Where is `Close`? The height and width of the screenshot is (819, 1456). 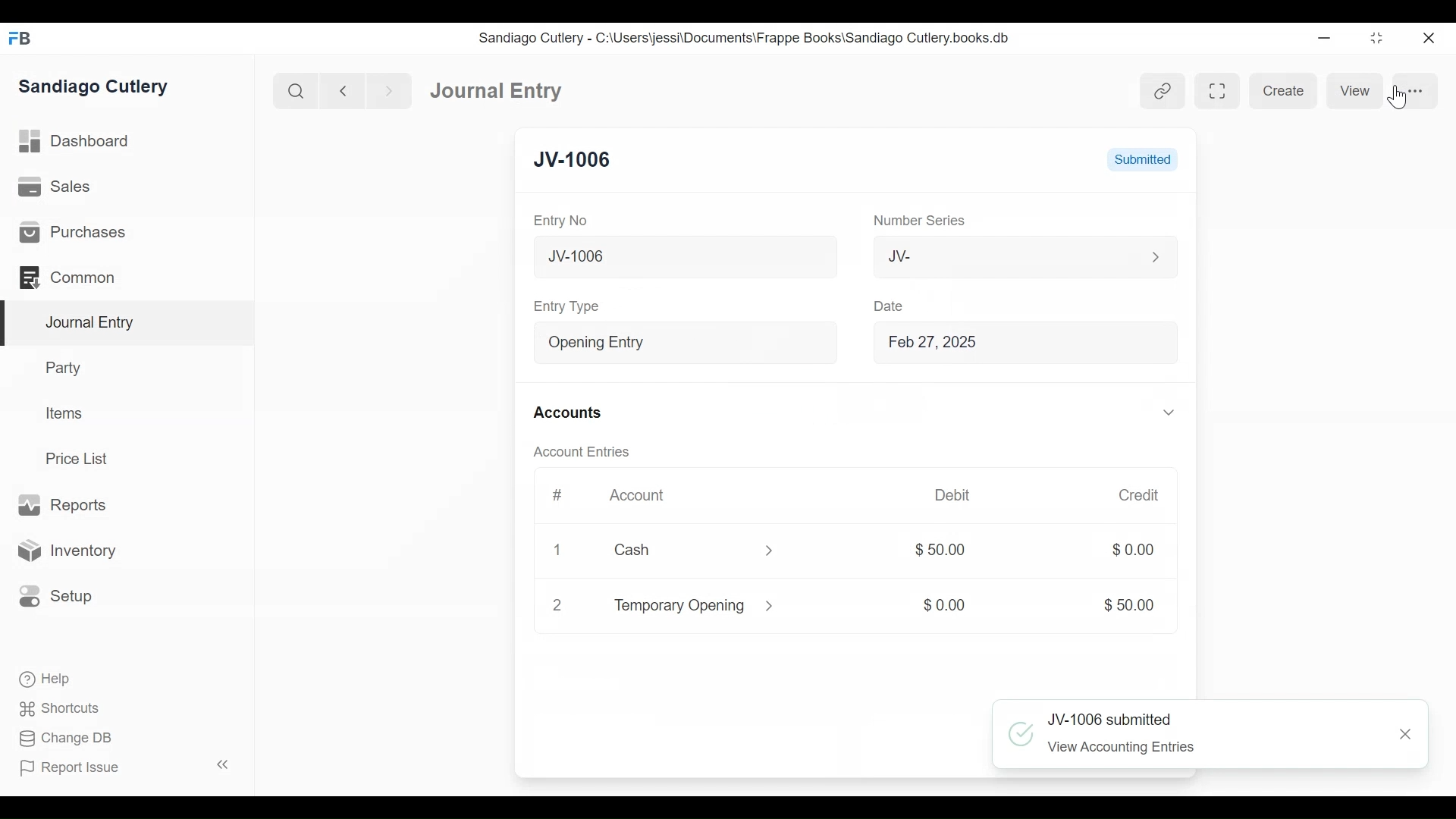
Close is located at coordinates (560, 551).